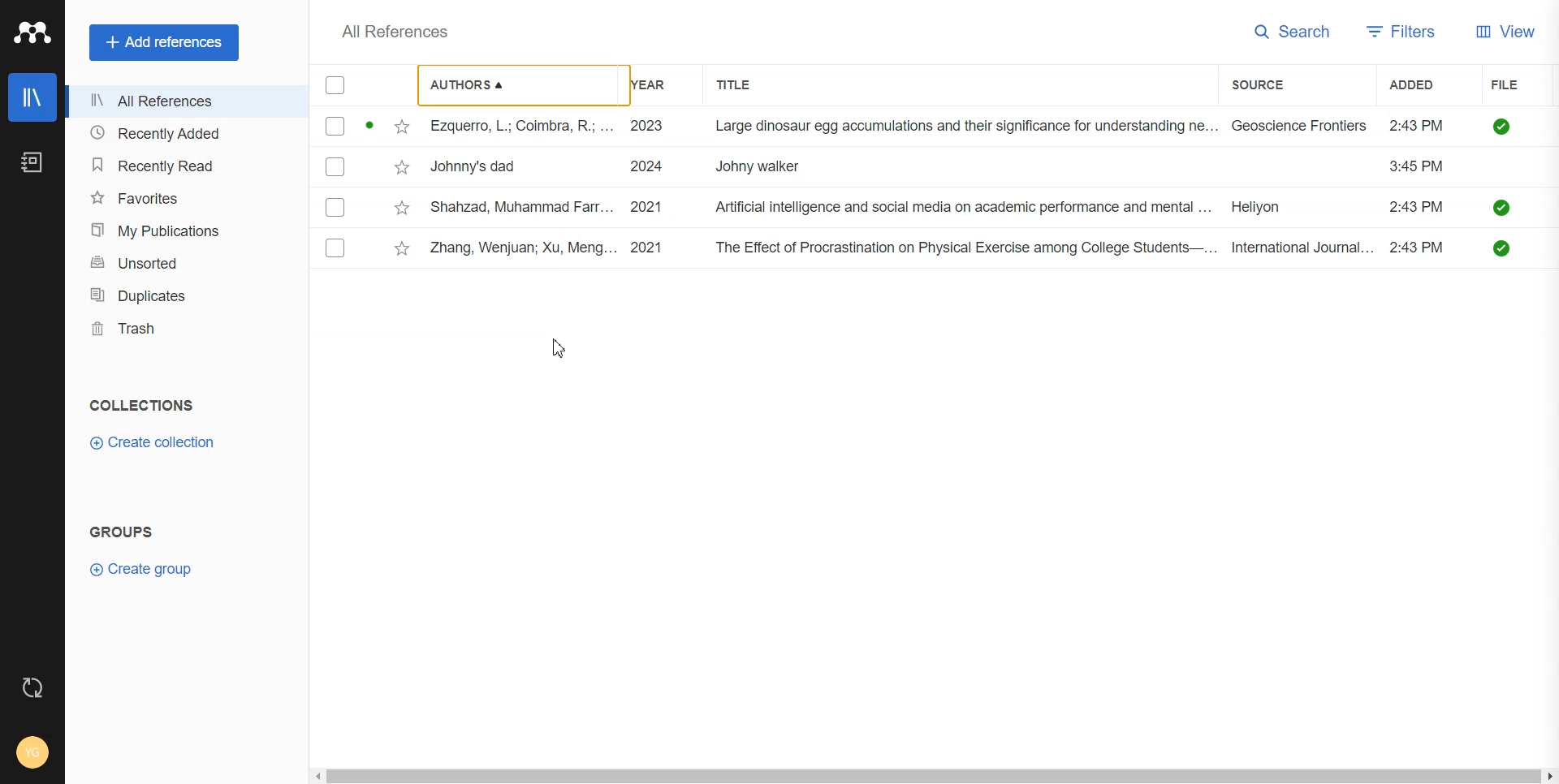 The height and width of the screenshot is (784, 1559). Describe the element at coordinates (962, 248) in the screenshot. I see `The Effect of Procrastination on Physical Exercise among College Students` at that location.